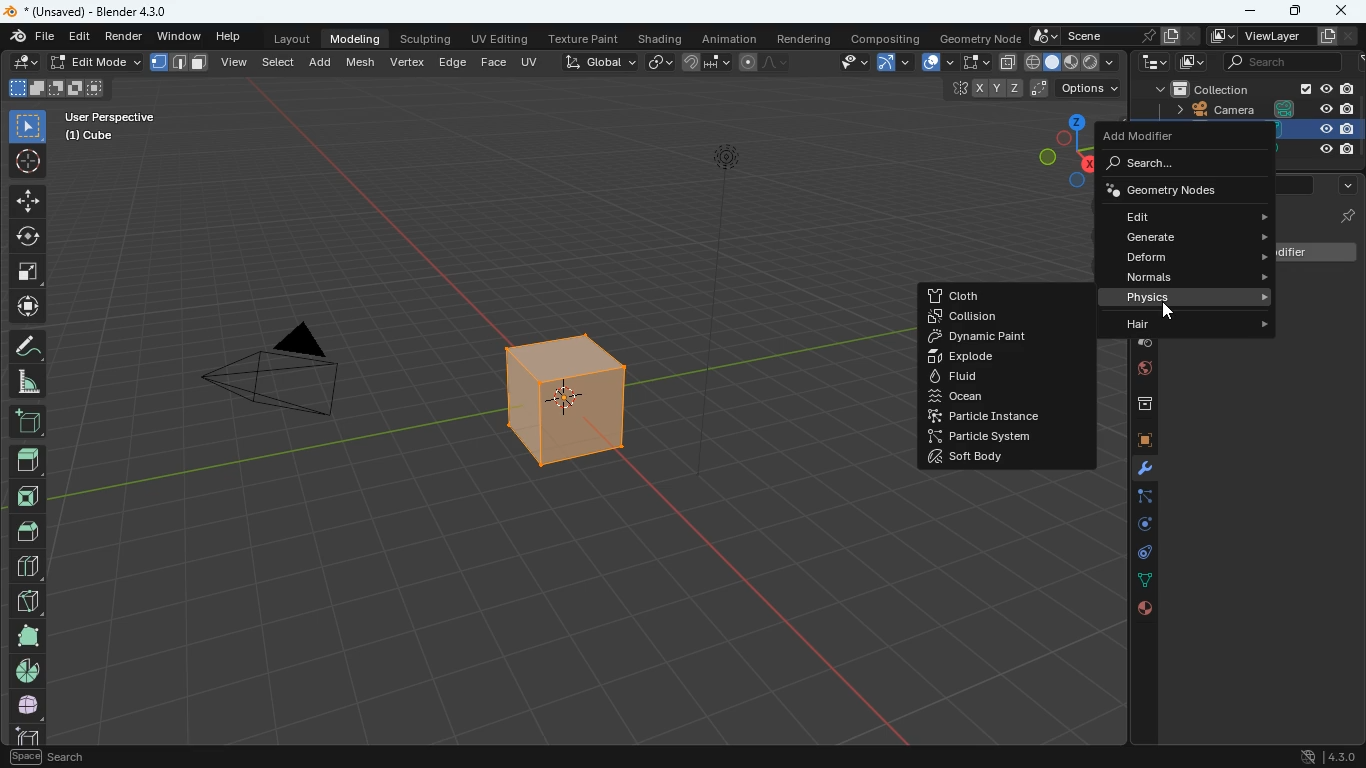 This screenshot has width=1366, height=768. I want to click on vertex, so click(409, 63).